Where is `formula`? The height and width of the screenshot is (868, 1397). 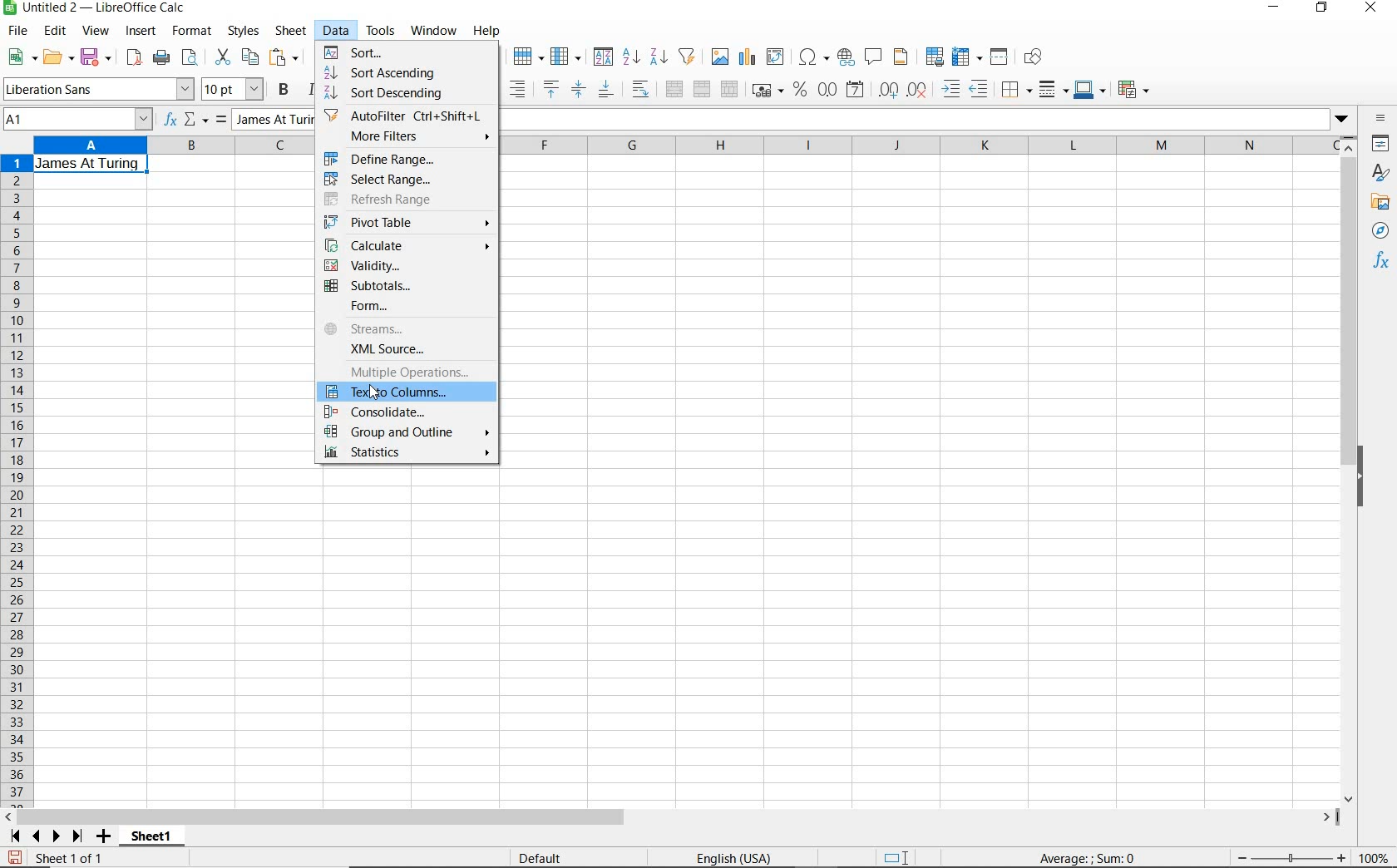 formula is located at coordinates (1111, 859).